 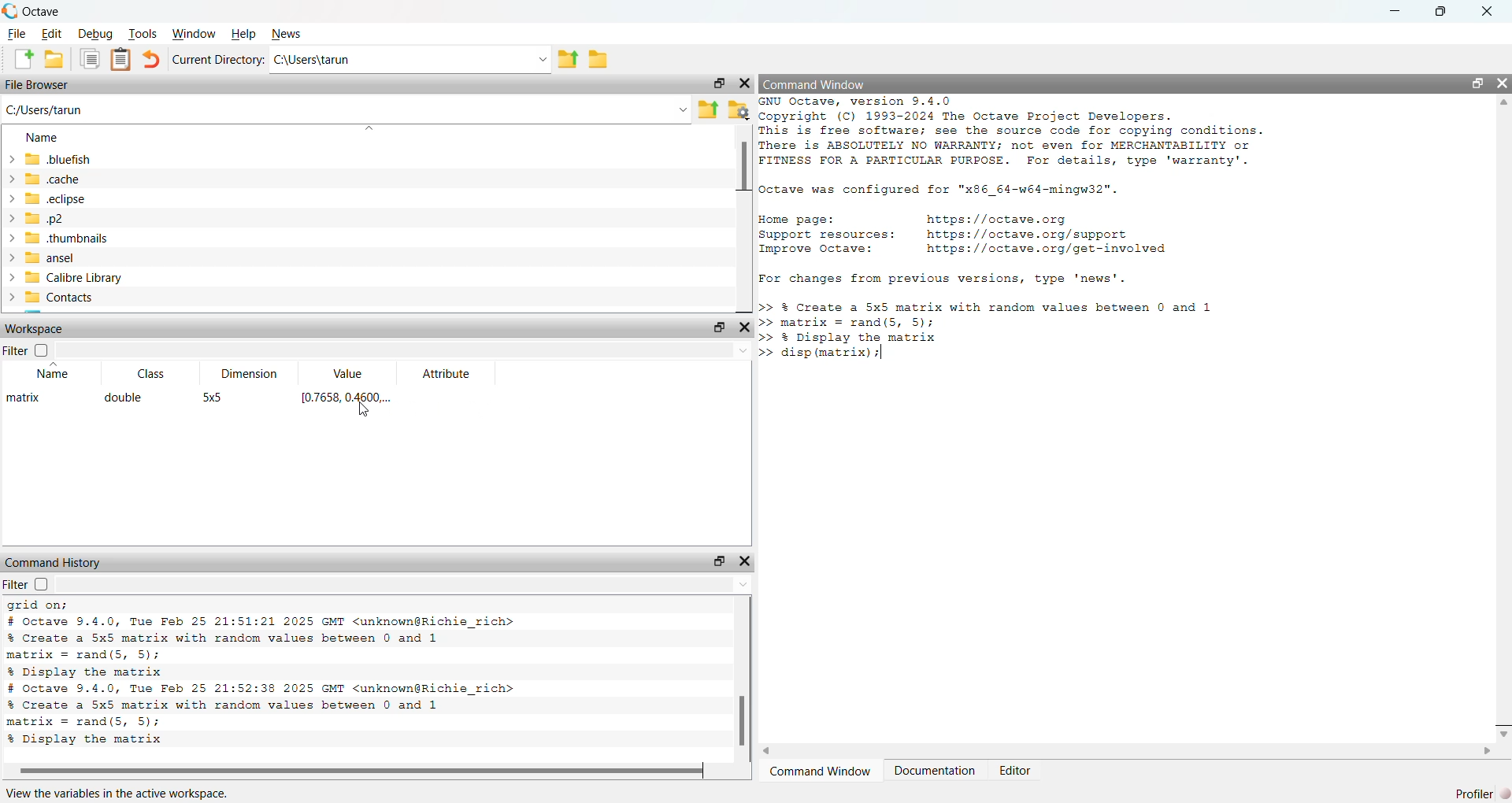 What do you see at coordinates (1014, 332) in the screenshot?
I see `Create a 5x5 matrix with random values between 0 and 1
trix = rand(s, 5);

Display the matrix

sp (matrix) |` at bounding box center [1014, 332].